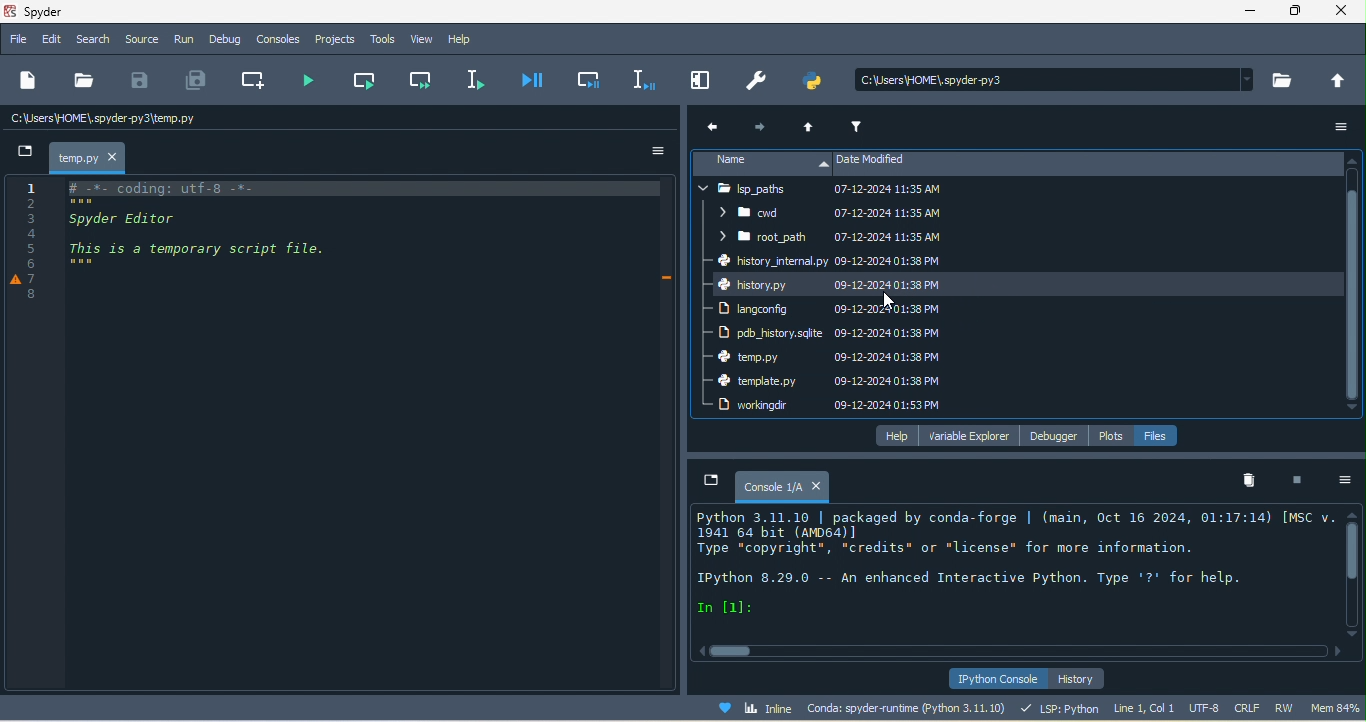 This screenshot has height=722, width=1366. I want to click on temp.py, so click(102, 159).